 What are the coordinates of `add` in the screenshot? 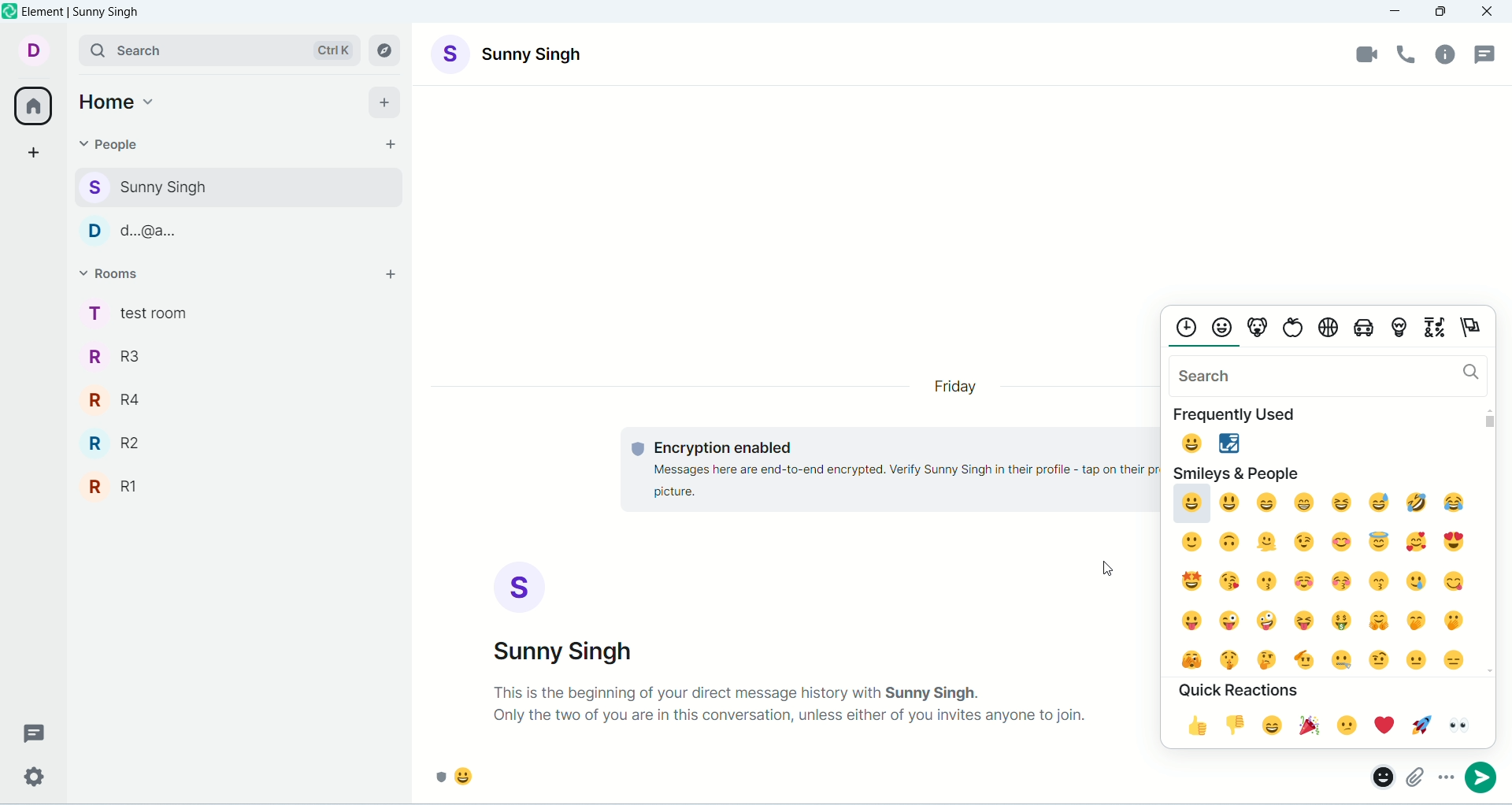 It's located at (393, 276).